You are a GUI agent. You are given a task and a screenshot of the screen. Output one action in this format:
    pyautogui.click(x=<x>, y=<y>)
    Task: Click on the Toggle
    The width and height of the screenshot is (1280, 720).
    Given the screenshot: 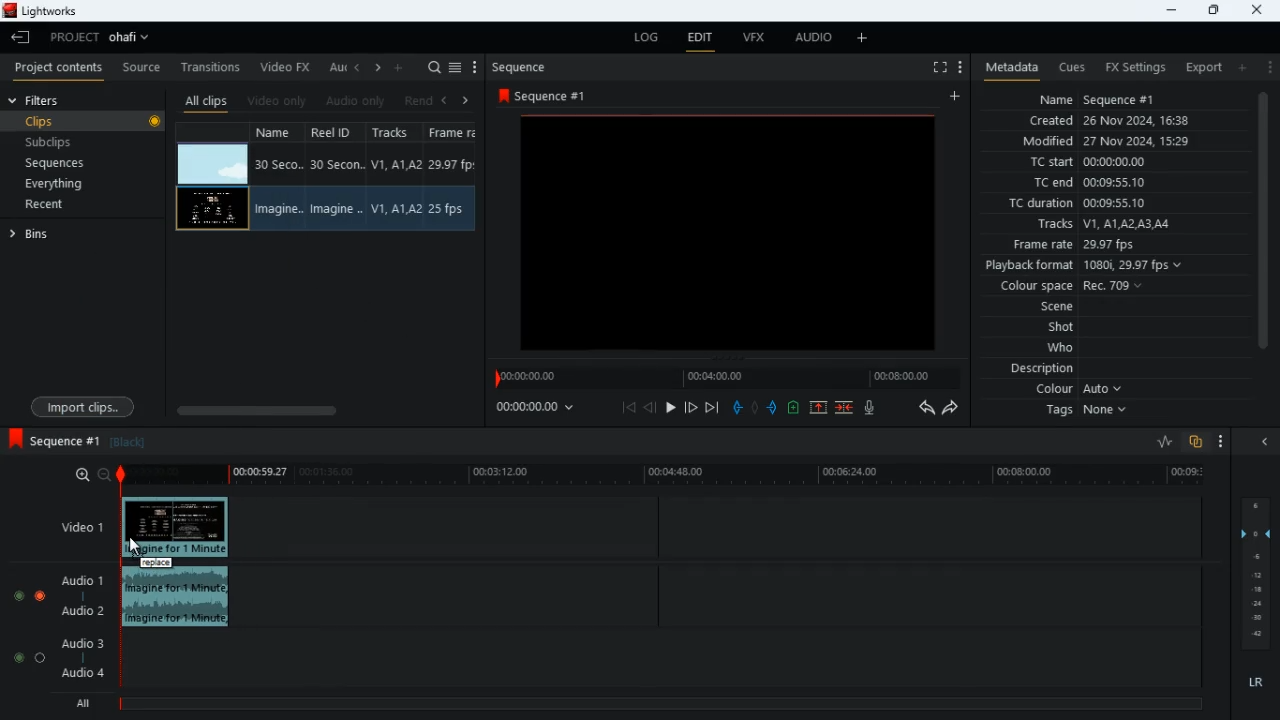 What is the action you would take?
    pyautogui.click(x=40, y=593)
    